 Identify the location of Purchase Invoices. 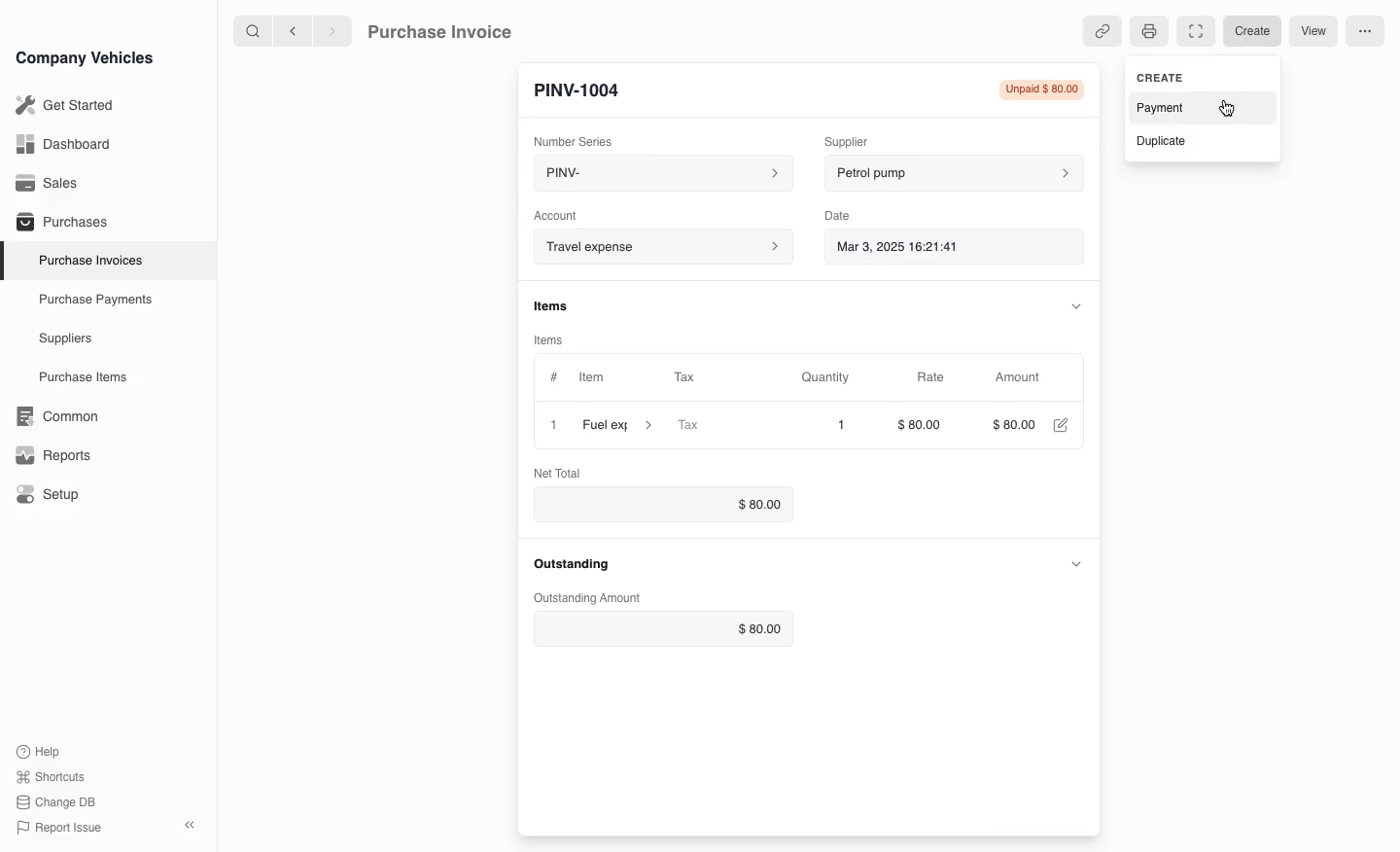
(87, 260).